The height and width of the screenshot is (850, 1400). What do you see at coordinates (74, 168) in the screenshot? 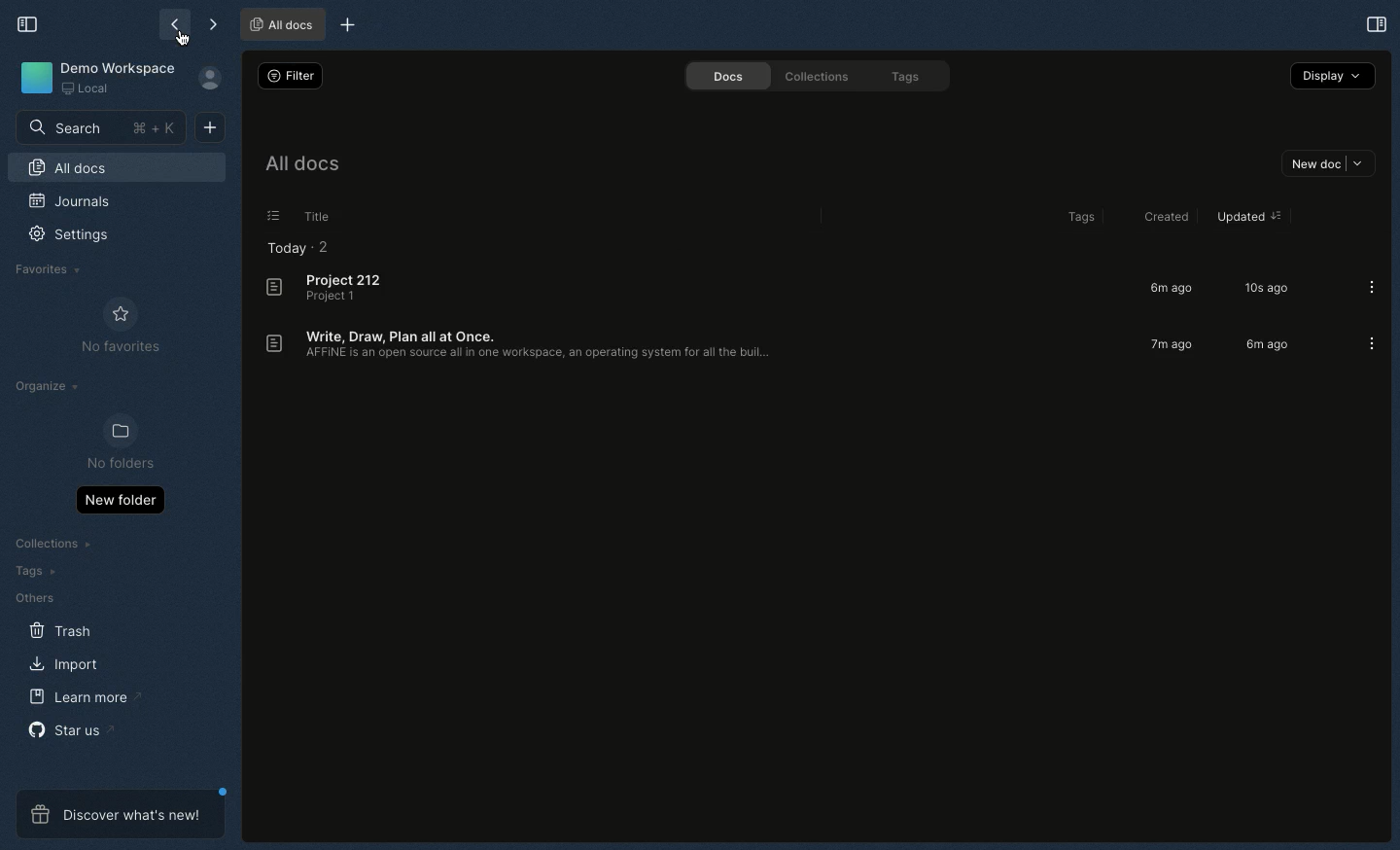
I see `All docs` at bounding box center [74, 168].